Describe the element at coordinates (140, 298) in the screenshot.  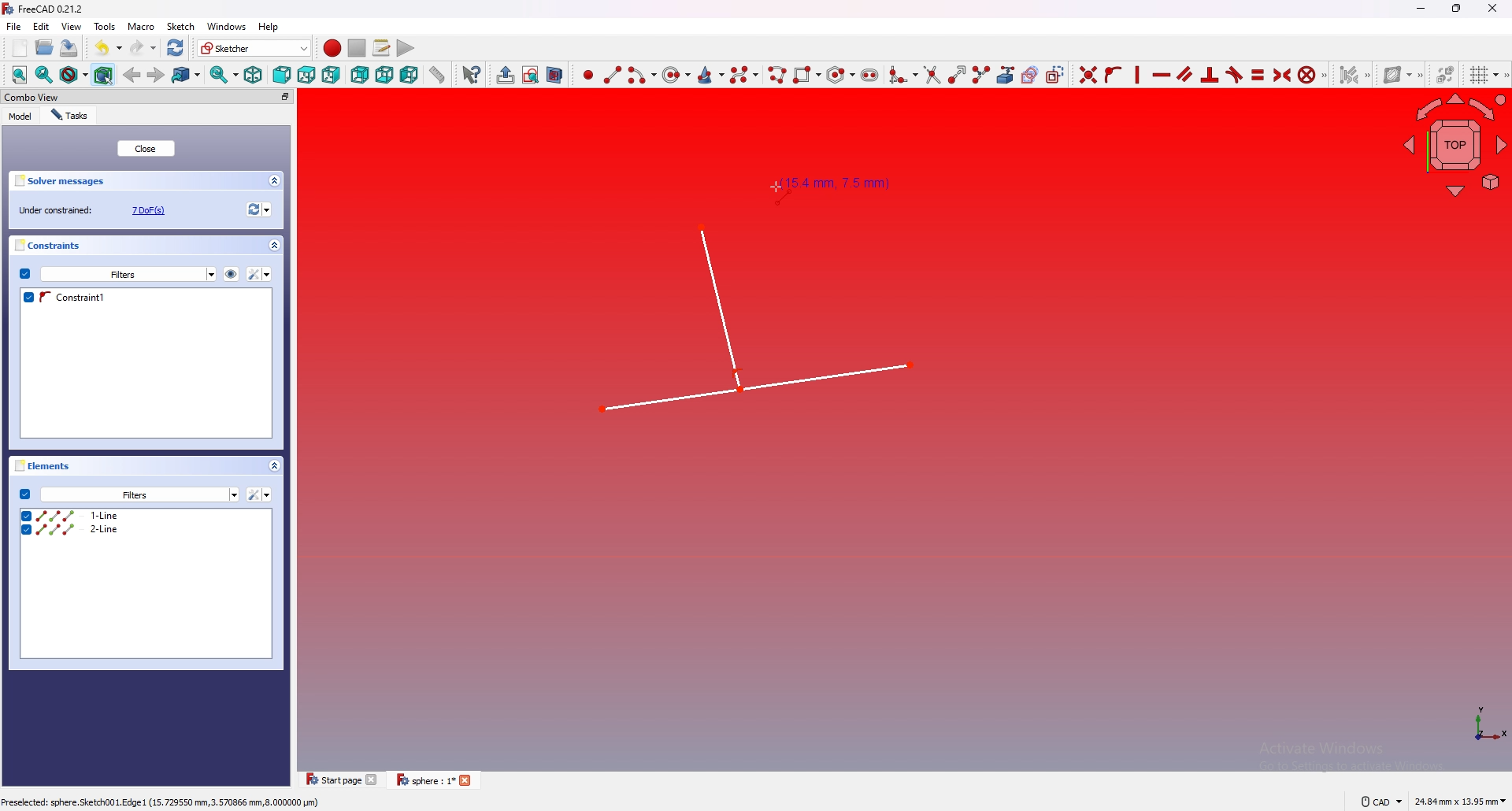
I see `constraint 1` at that location.